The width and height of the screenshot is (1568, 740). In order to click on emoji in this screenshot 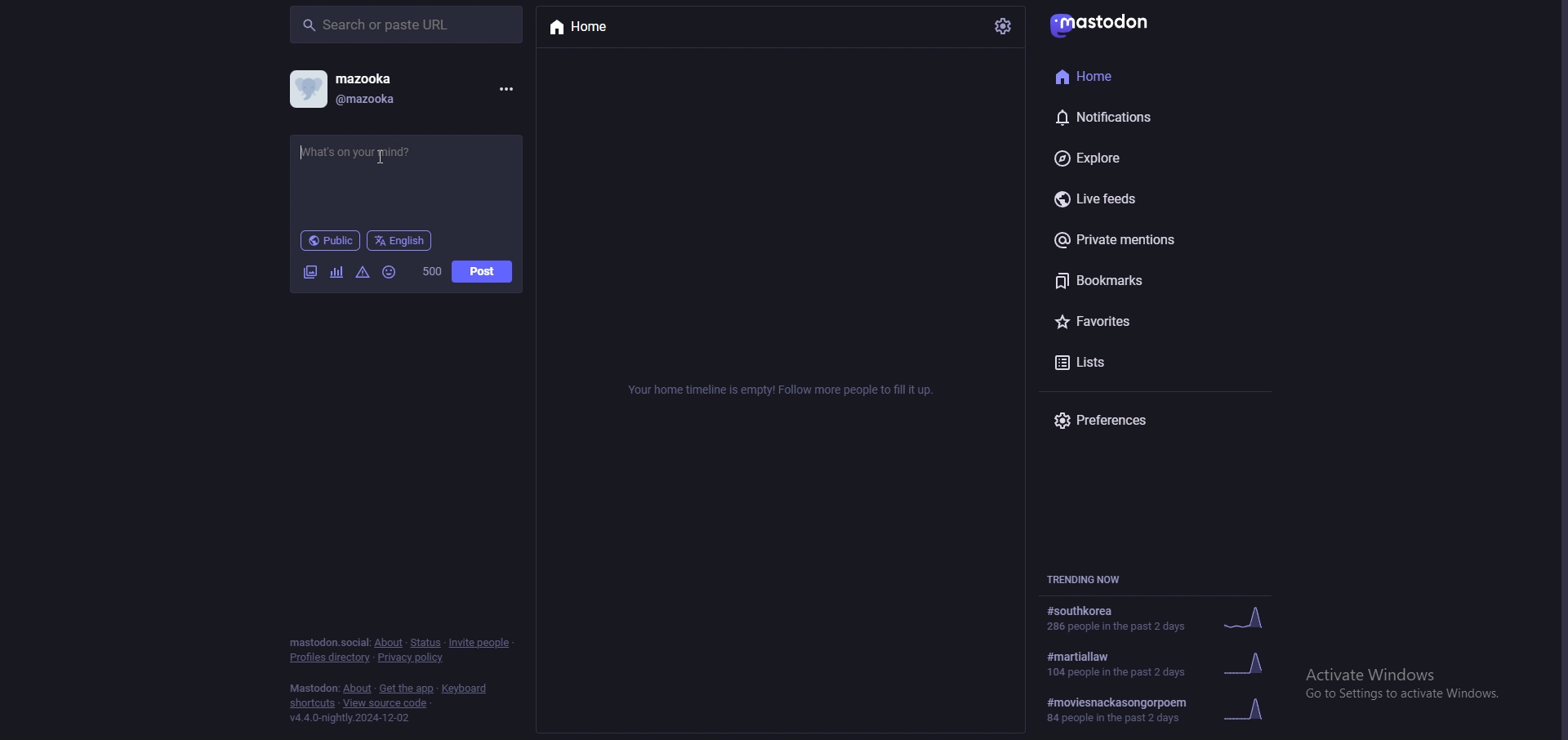, I will do `click(390, 273)`.